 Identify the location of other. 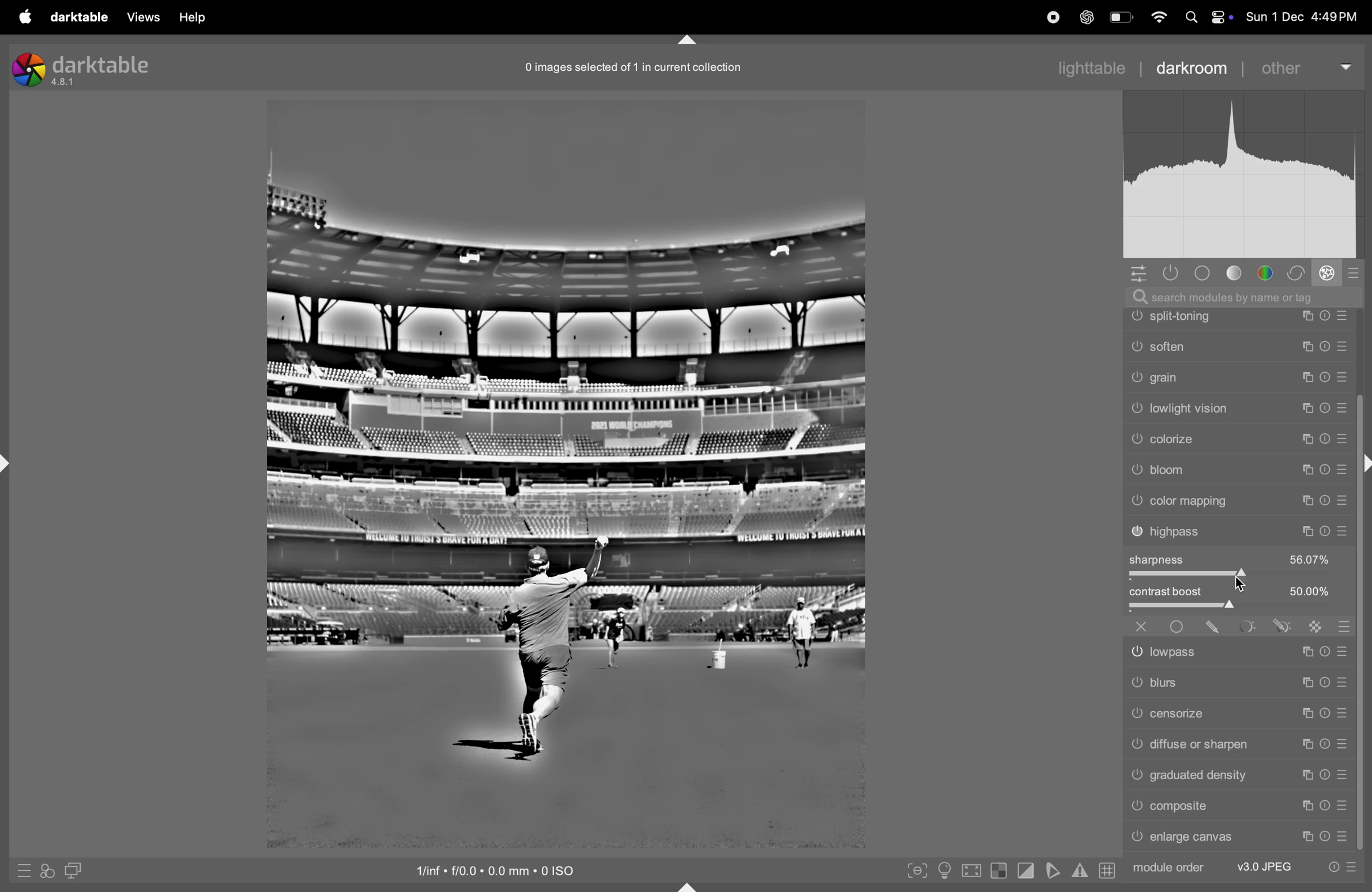
(1301, 69).